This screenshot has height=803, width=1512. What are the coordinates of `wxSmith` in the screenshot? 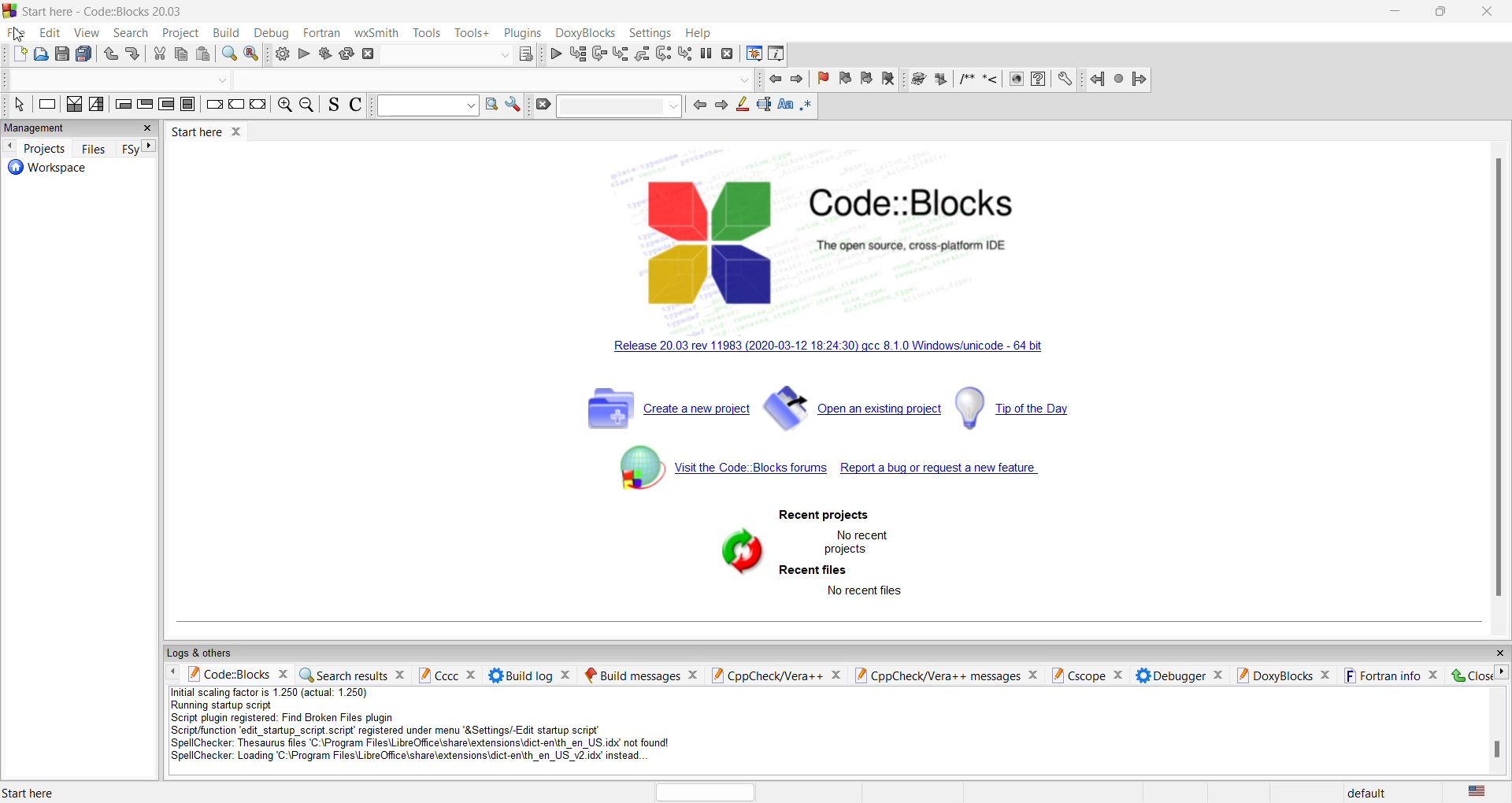 It's located at (377, 32).